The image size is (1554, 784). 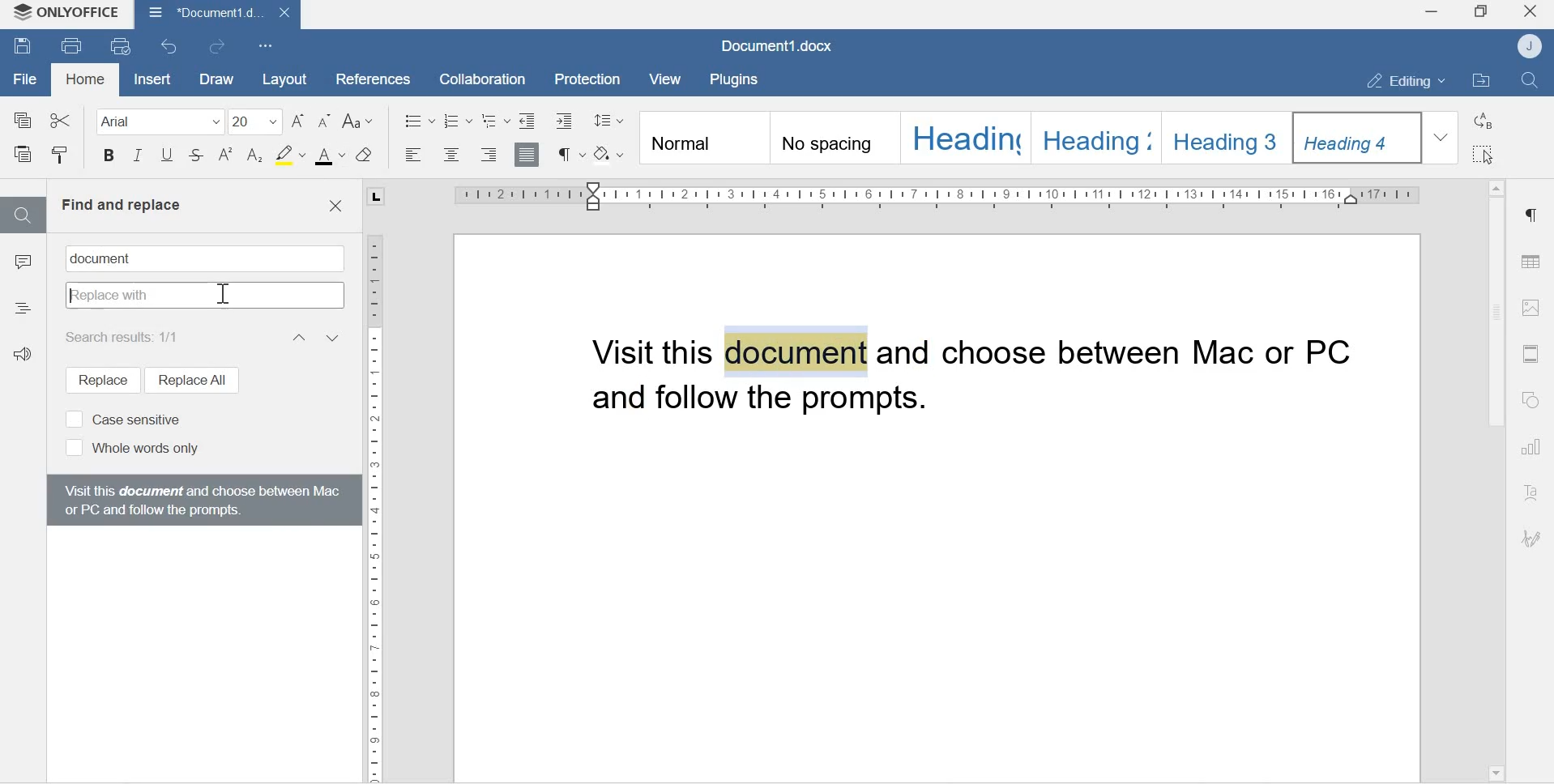 What do you see at coordinates (221, 47) in the screenshot?
I see `Redo` at bounding box center [221, 47].